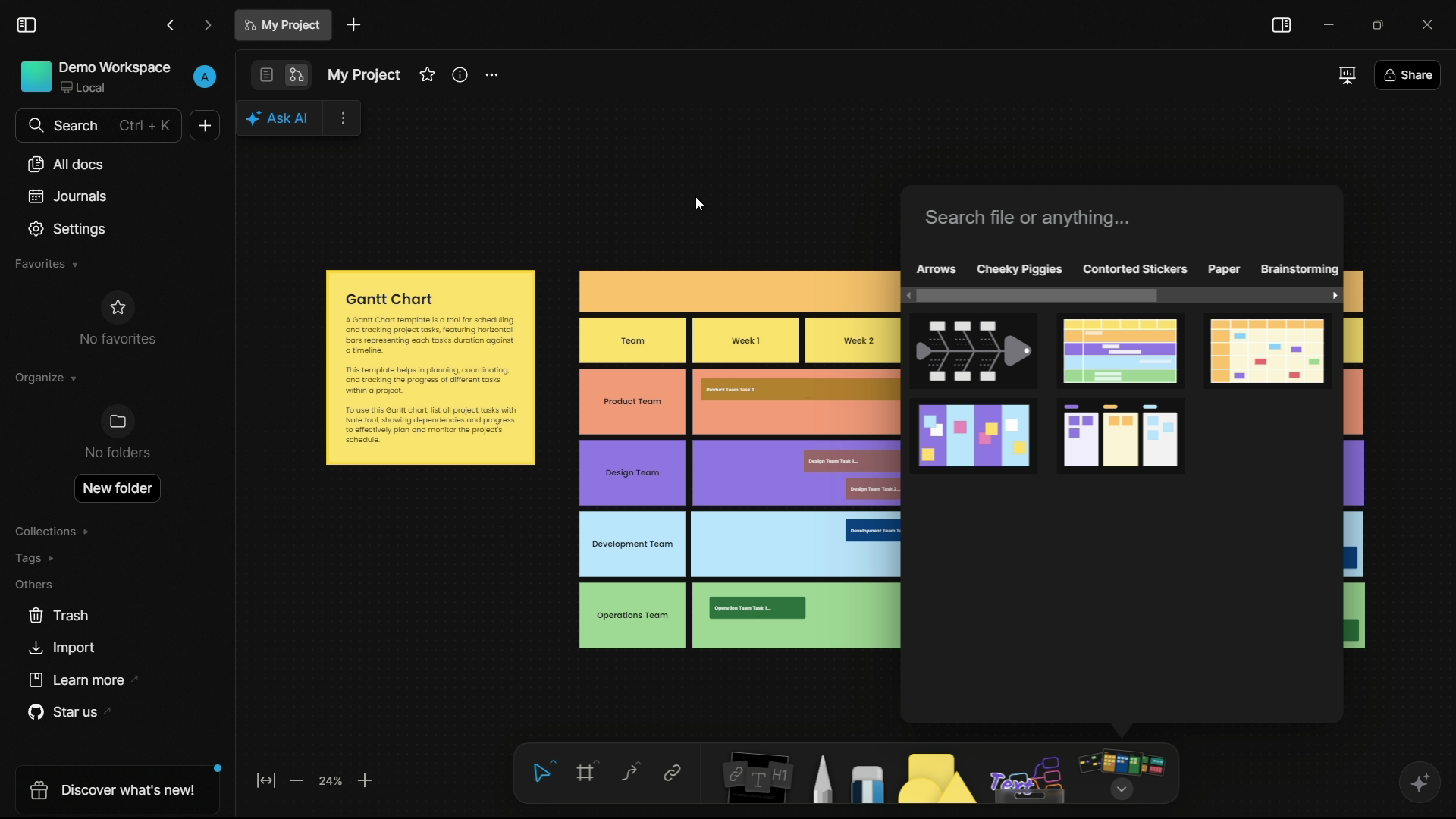 Image resolution: width=1456 pixels, height=819 pixels. I want to click on zoom factor, so click(333, 781).